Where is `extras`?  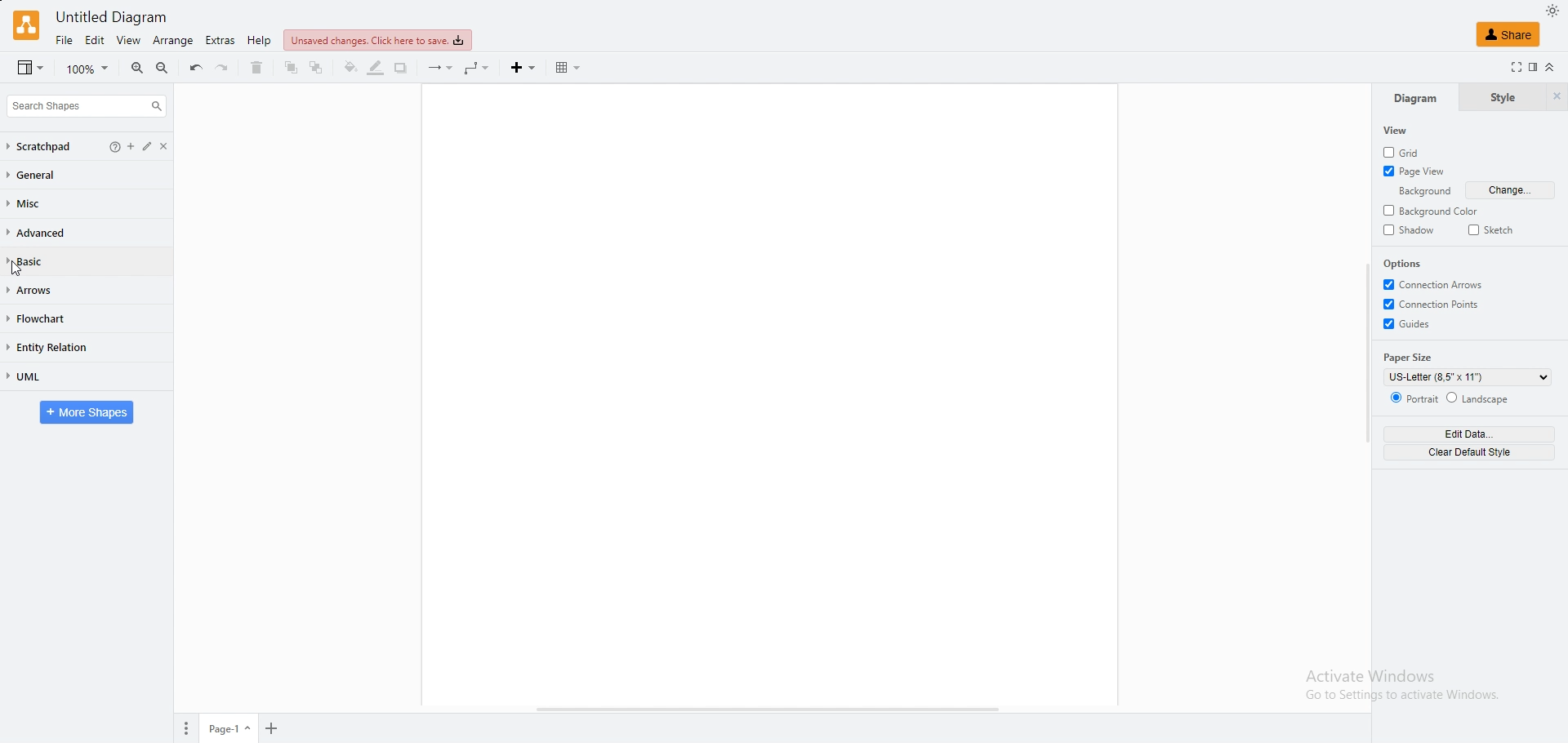 extras is located at coordinates (220, 40).